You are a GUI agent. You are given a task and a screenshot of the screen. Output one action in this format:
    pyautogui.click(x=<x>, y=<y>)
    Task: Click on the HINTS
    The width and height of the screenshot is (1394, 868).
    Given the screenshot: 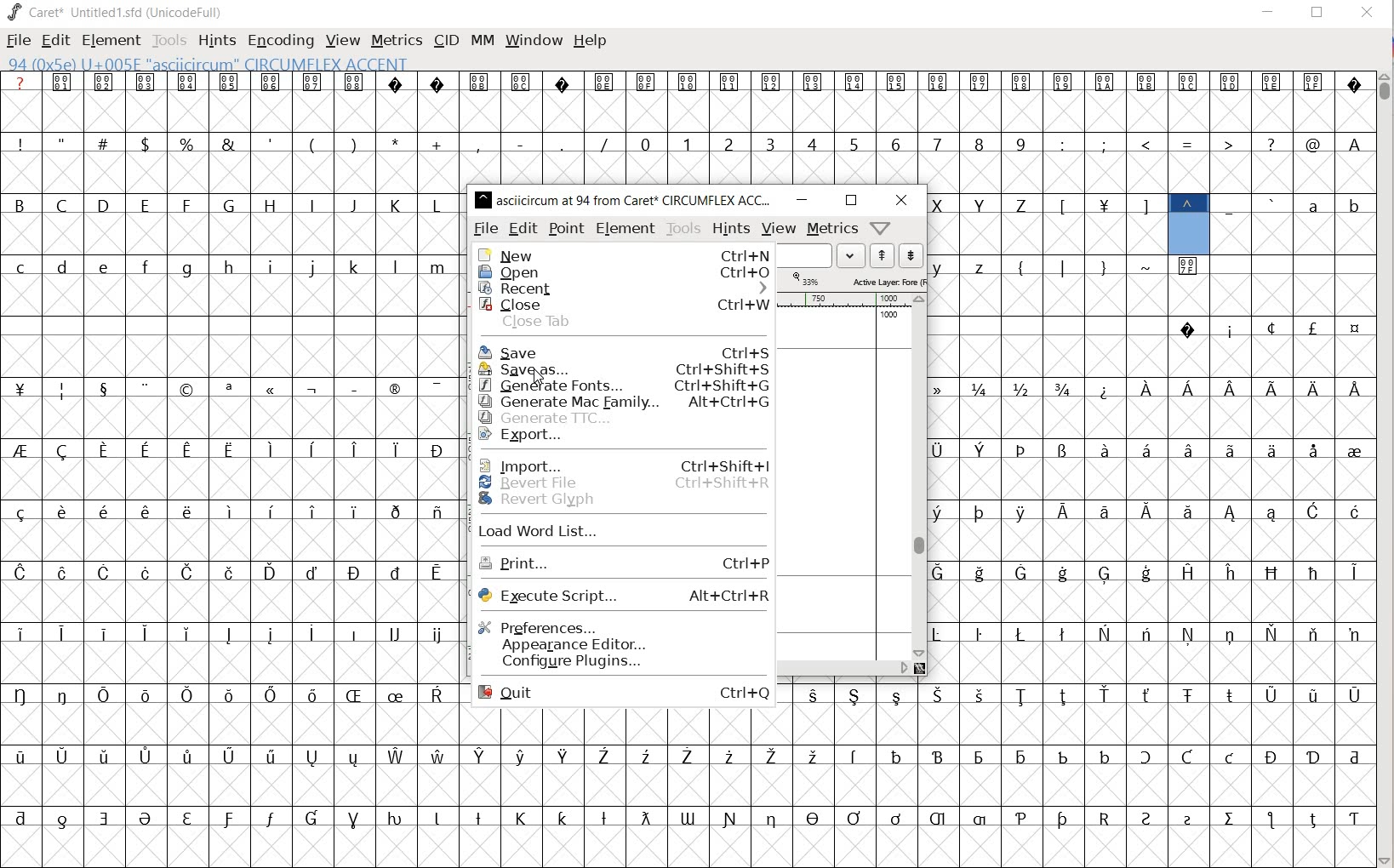 What is the action you would take?
    pyautogui.click(x=217, y=40)
    